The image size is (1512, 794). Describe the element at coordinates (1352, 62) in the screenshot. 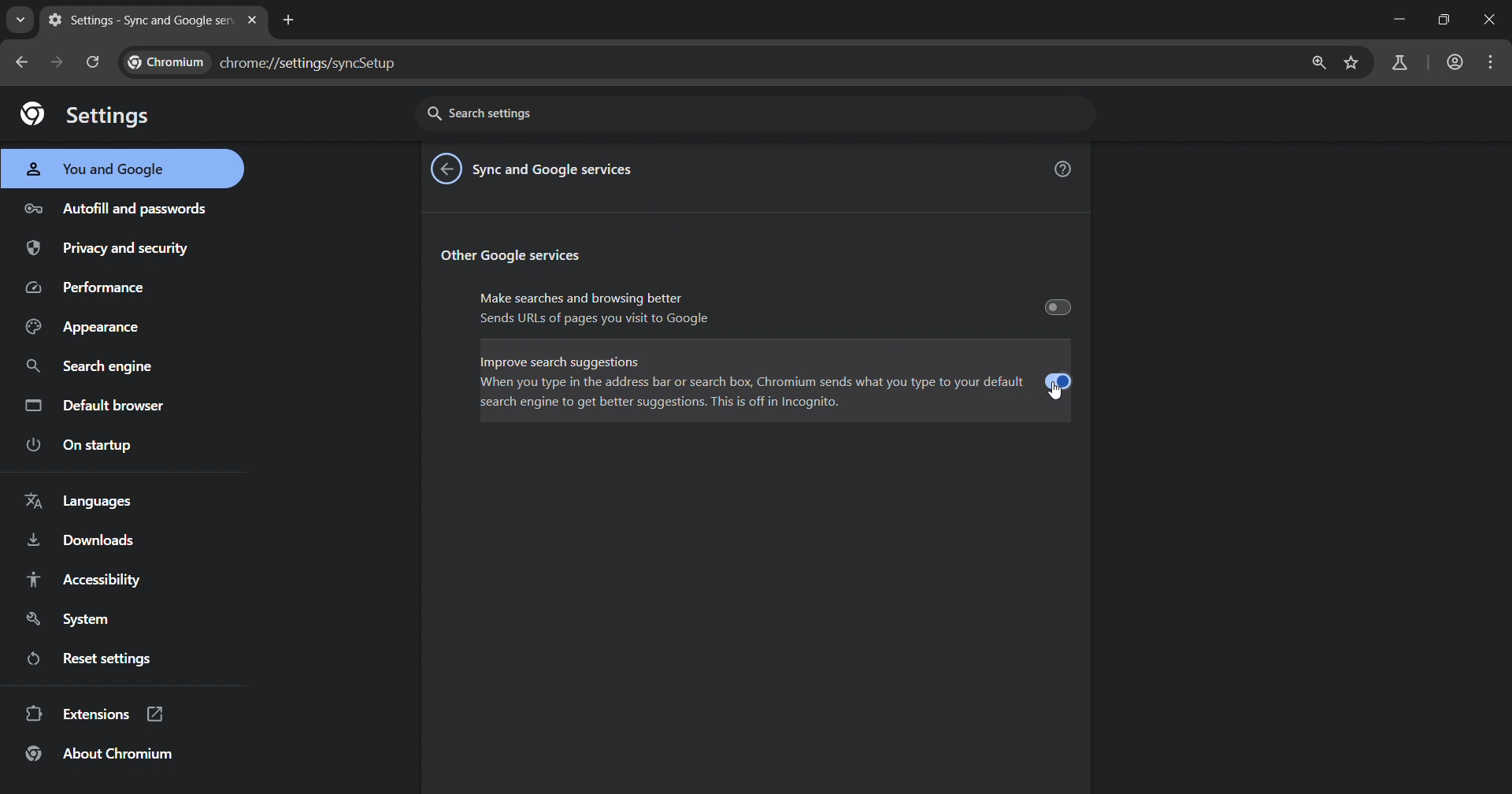

I see `bookmark page` at that location.